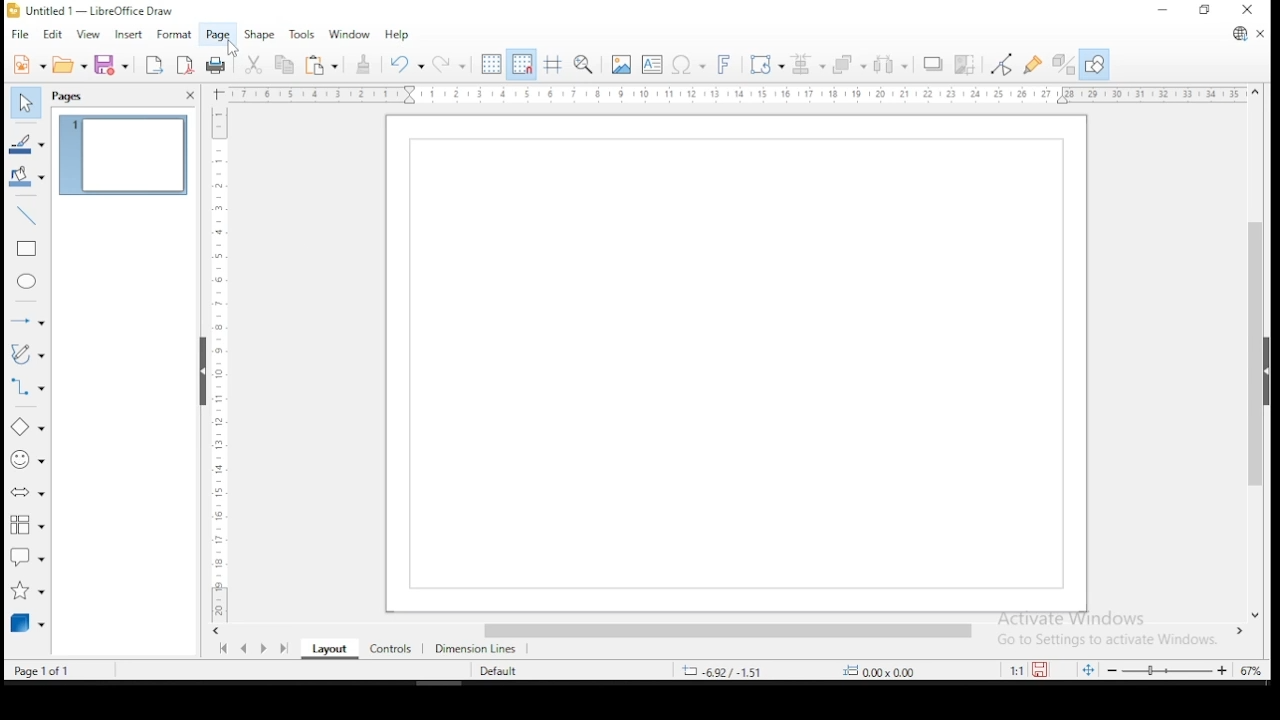 The image size is (1280, 720). I want to click on Page Info, so click(57, 670).